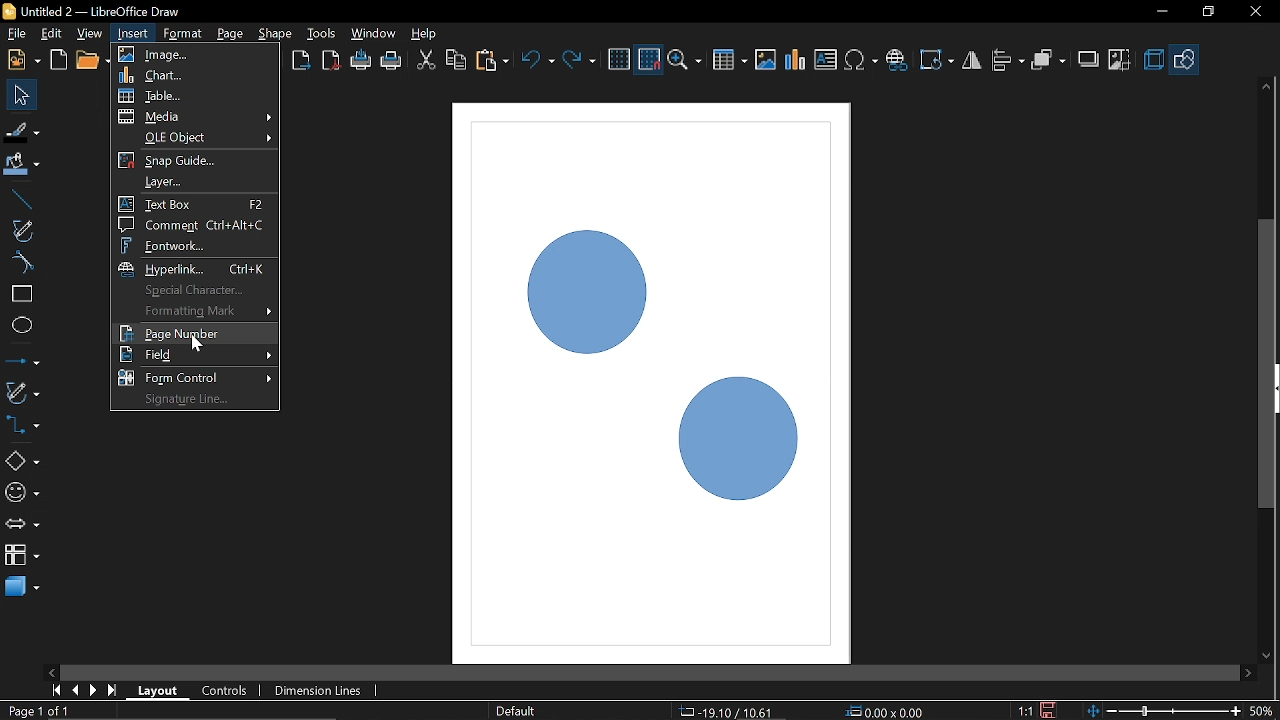  I want to click on Lines and arrows, so click(22, 363).